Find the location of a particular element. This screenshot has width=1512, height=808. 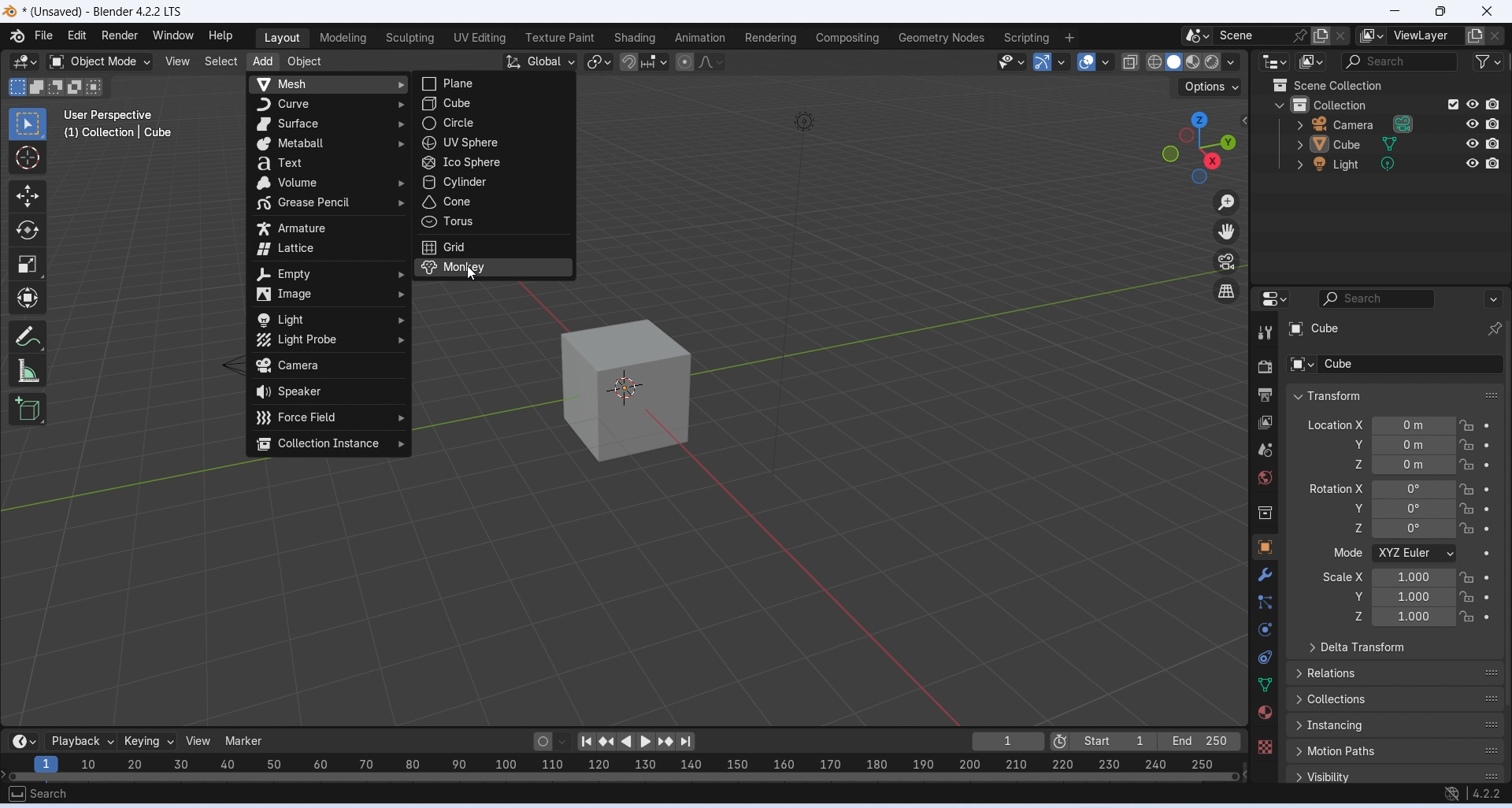

volume is located at coordinates (328, 183).